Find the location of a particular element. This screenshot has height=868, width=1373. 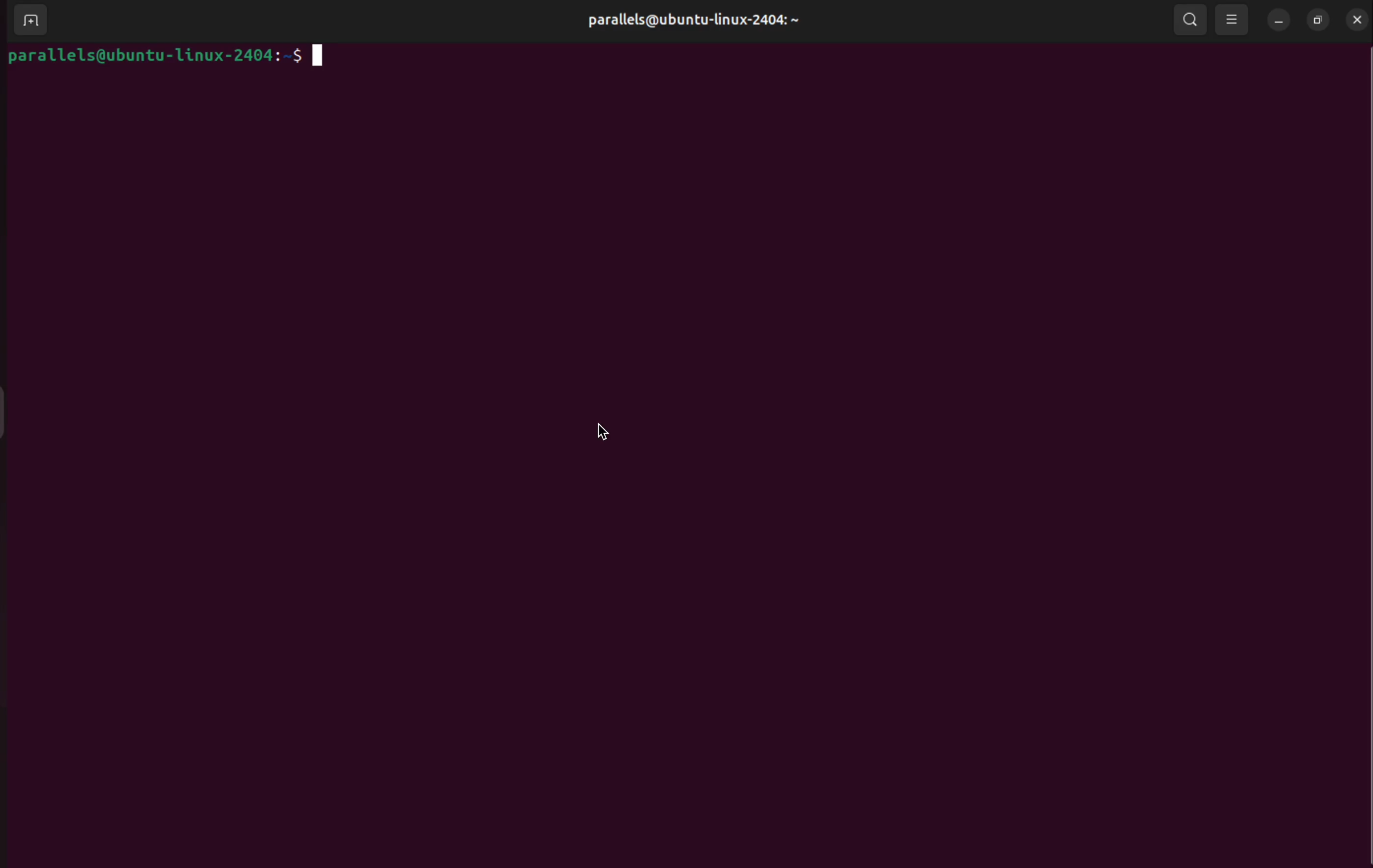

search  is located at coordinates (1189, 19).